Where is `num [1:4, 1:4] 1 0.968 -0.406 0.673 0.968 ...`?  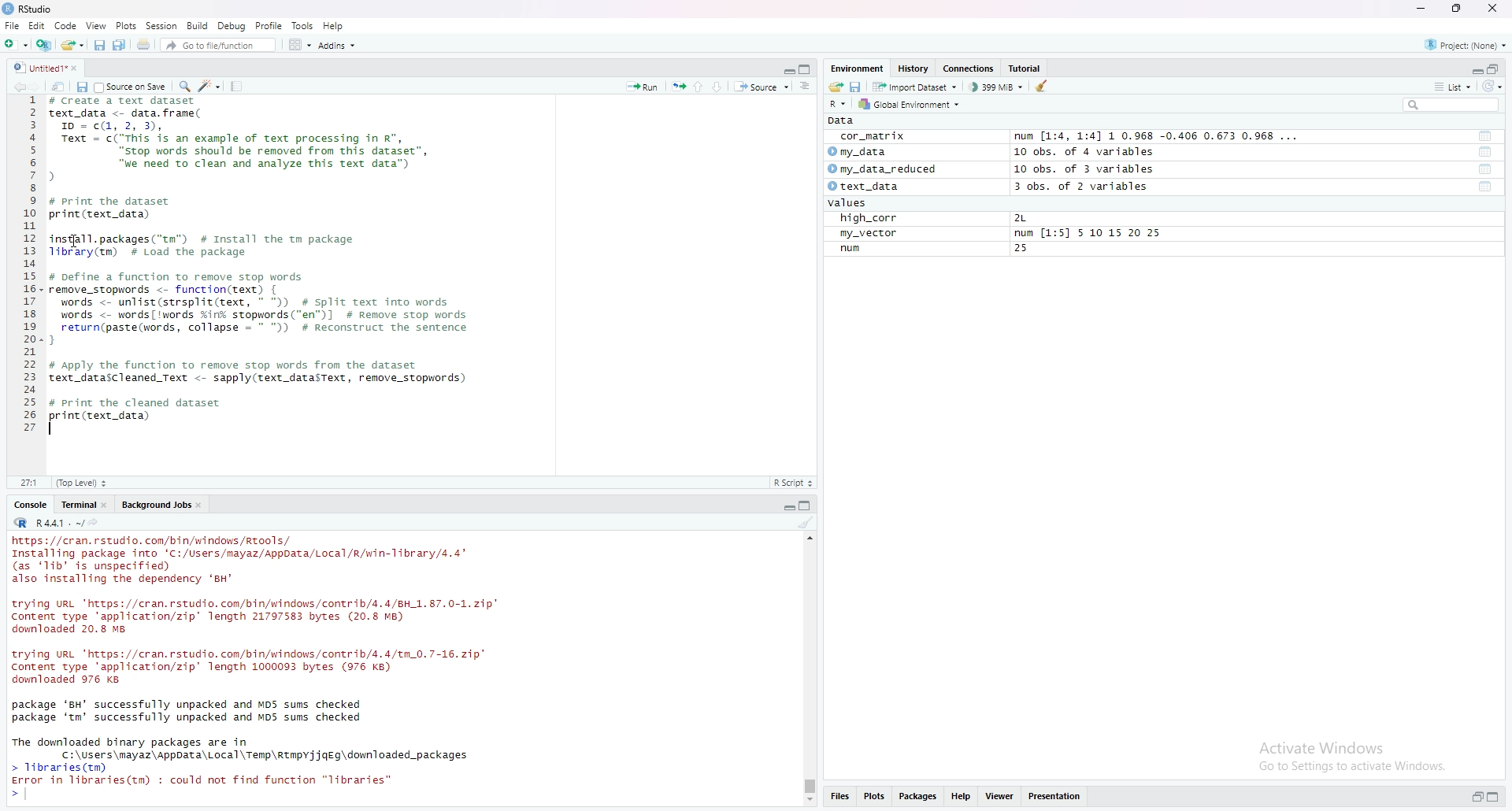
num [1:4, 1:4] 1 0.968 -0.406 0.673 0.968 ... is located at coordinates (1161, 135).